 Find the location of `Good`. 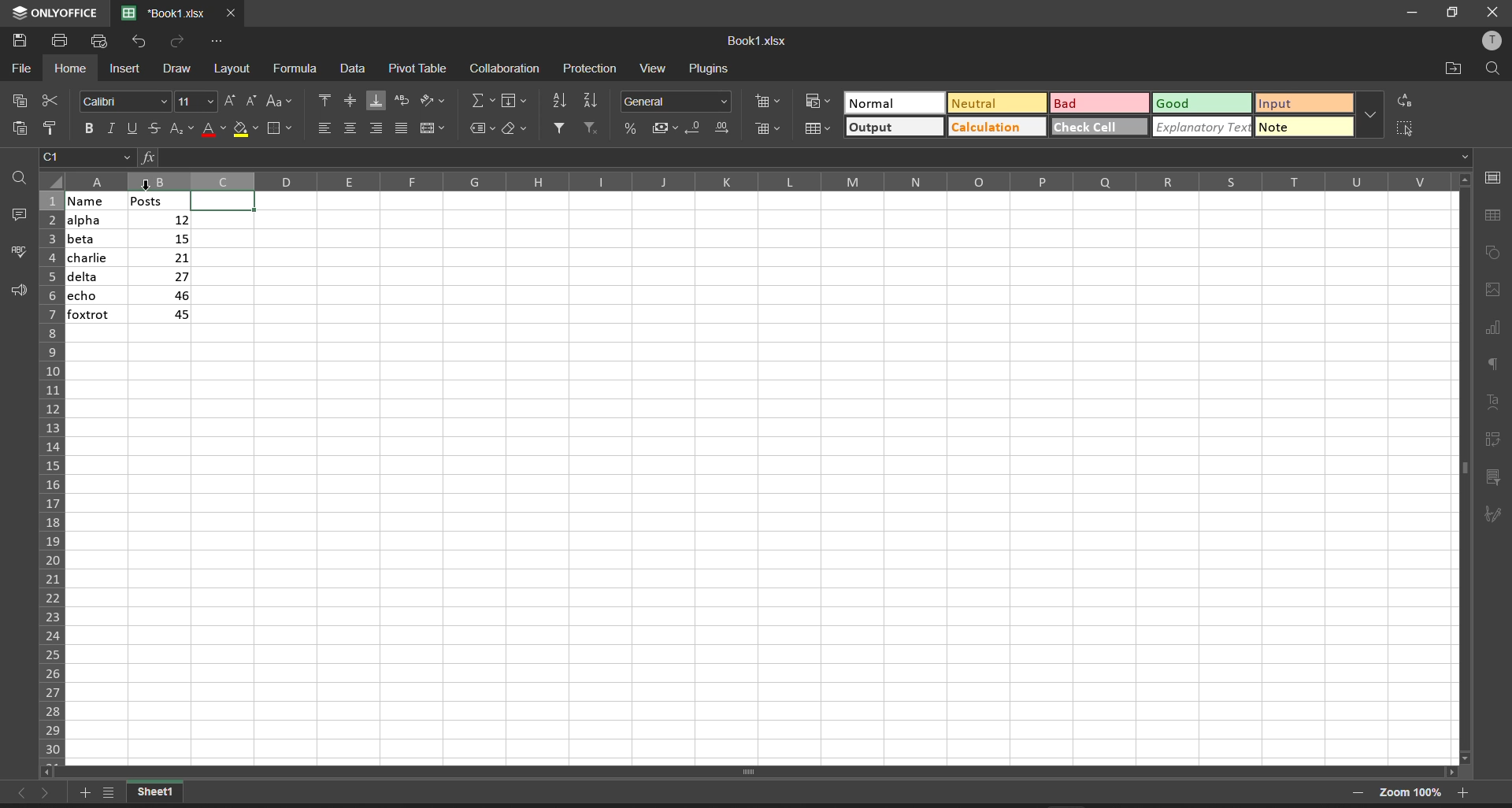

Good is located at coordinates (1176, 102).